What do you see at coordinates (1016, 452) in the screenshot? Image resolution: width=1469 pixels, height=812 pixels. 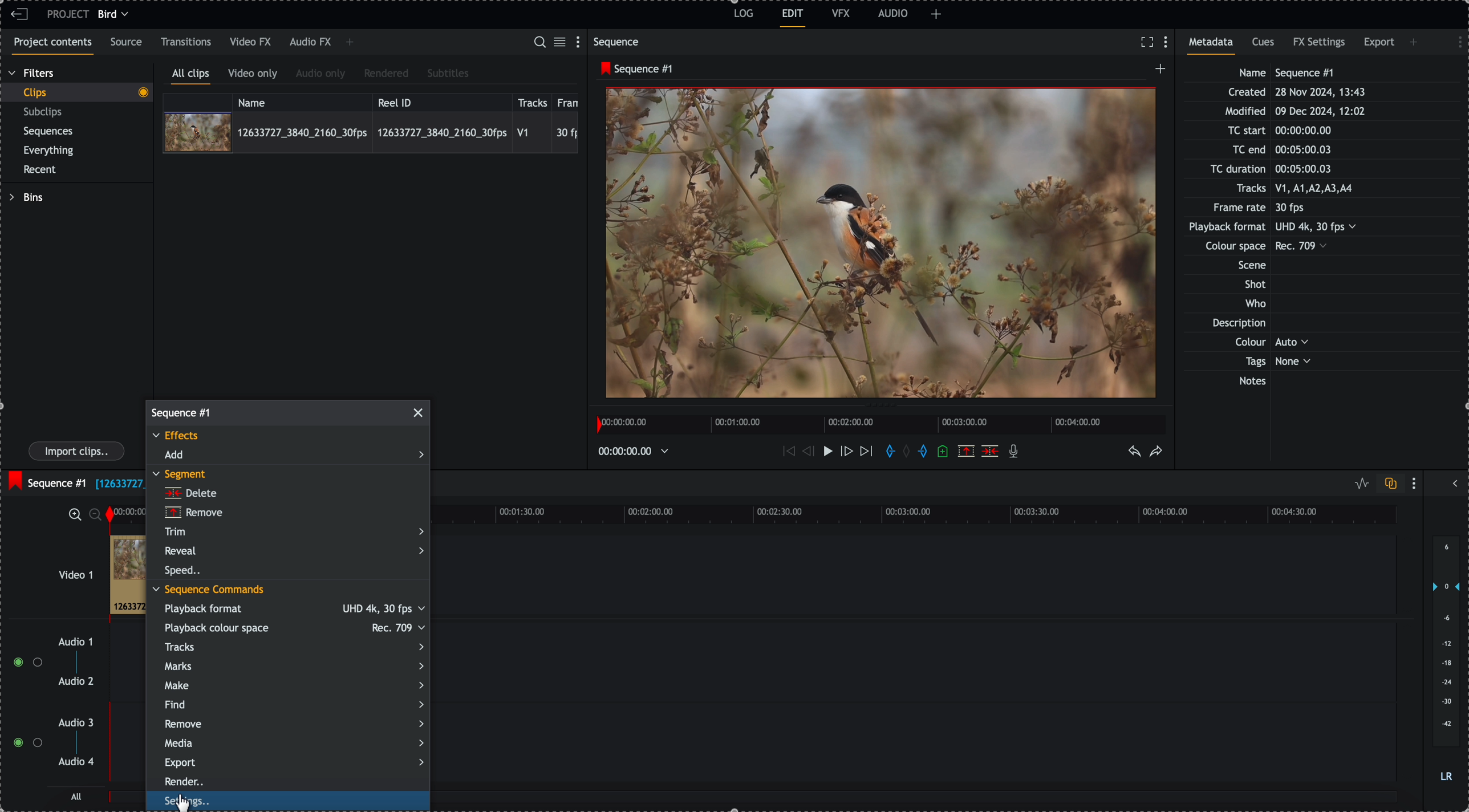 I see `recored voice-over` at bounding box center [1016, 452].